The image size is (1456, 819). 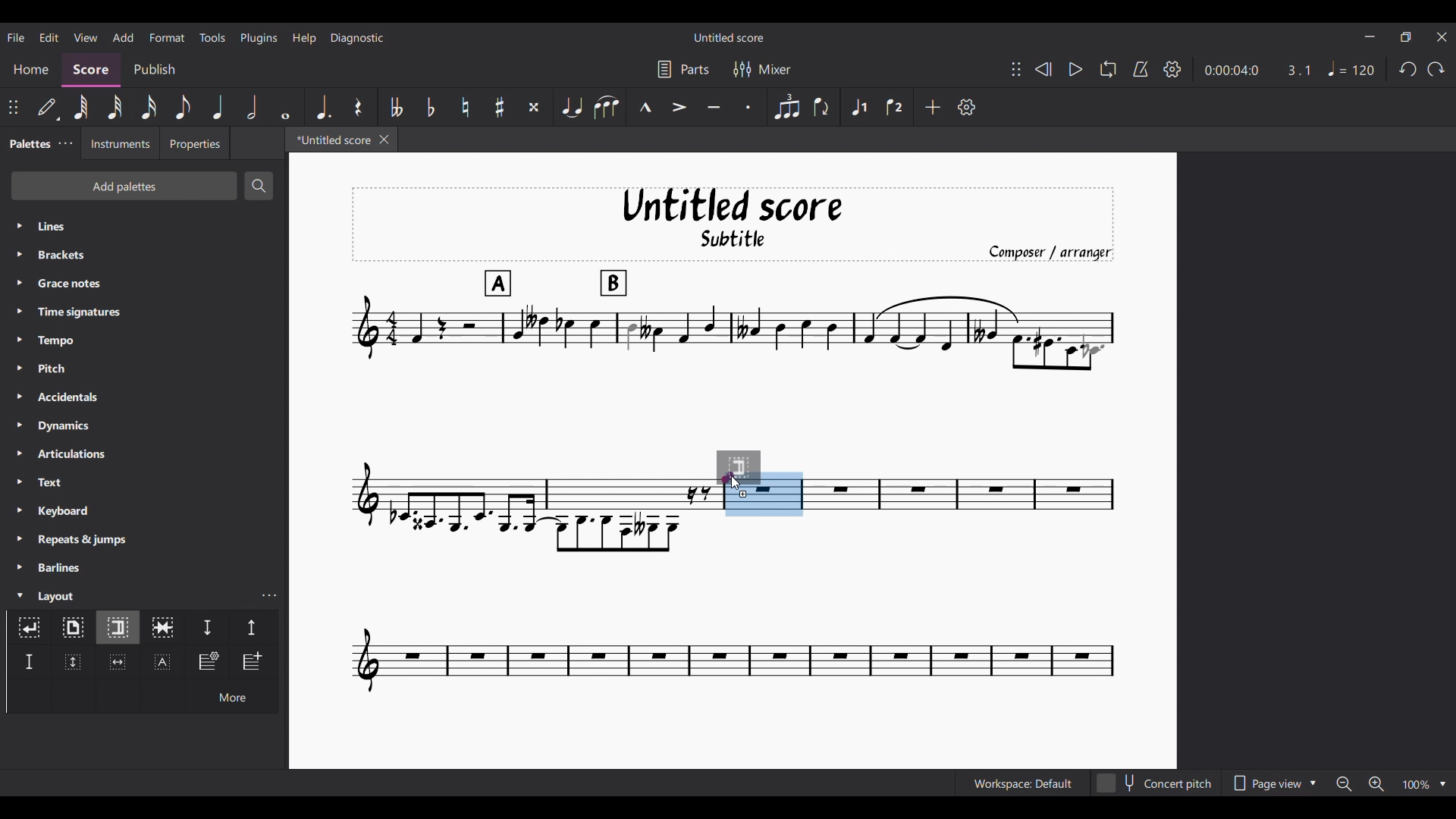 What do you see at coordinates (118, 662) in the screenshot?
I see `Insert horizontal frame` at bounding box center [118, 662].